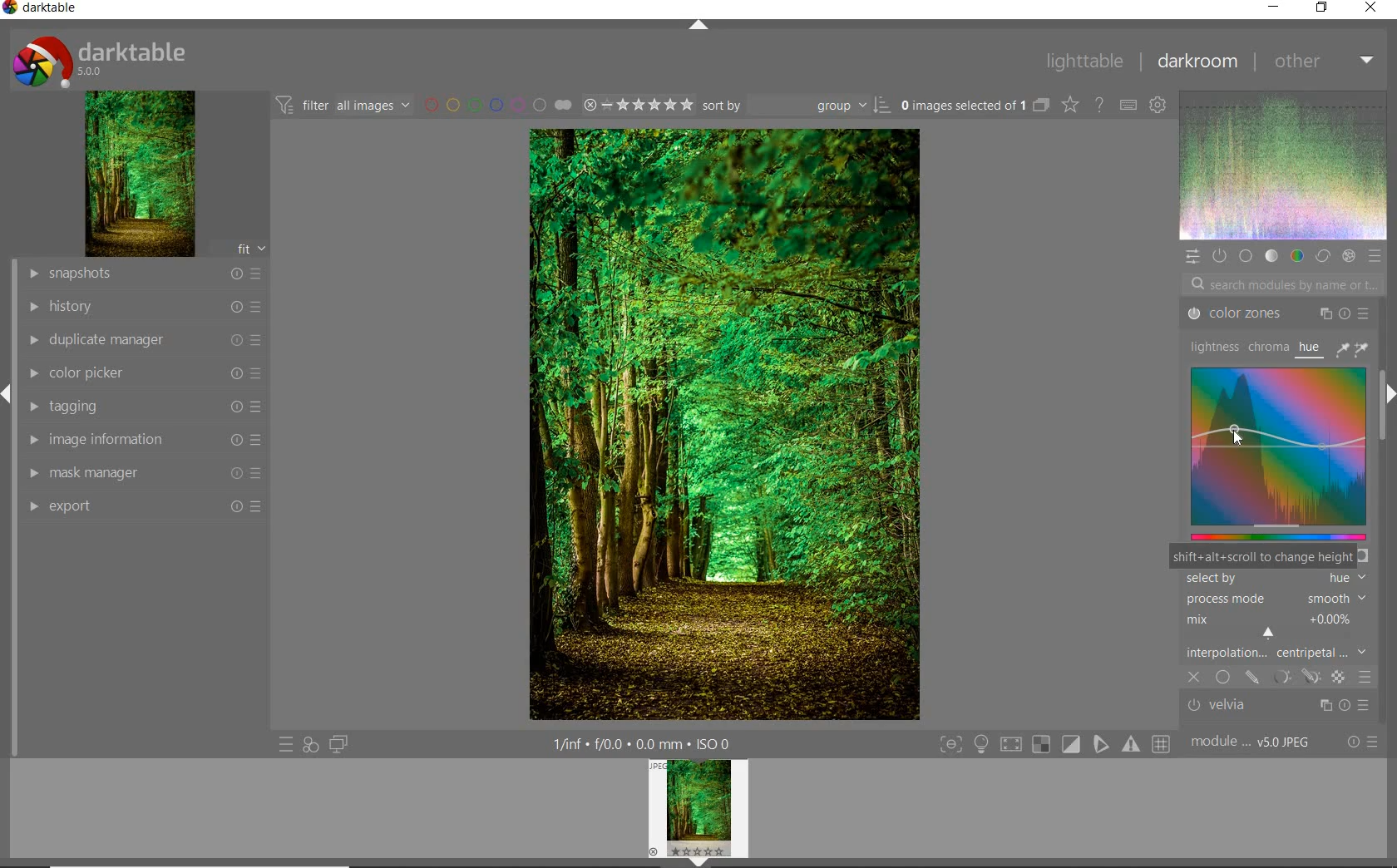 The height and width of the screenshot is (868, 1397). I want to click on EFFECT, so click(1348, 255).